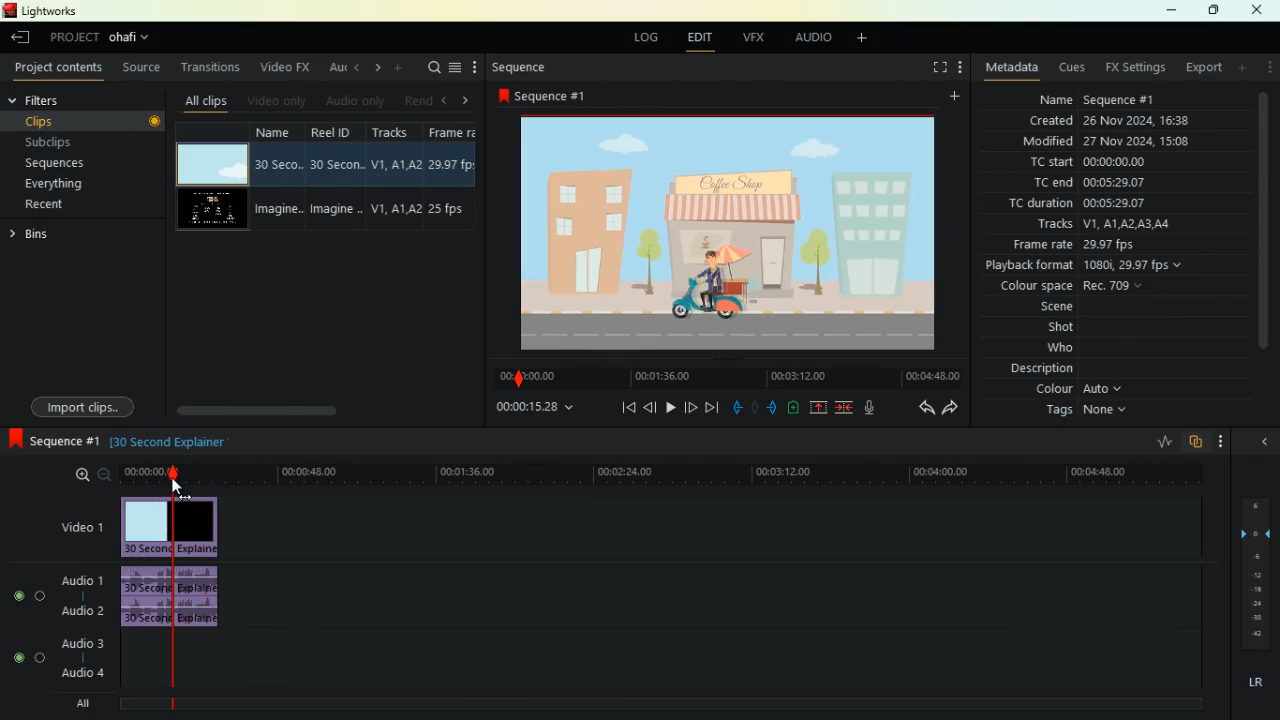 This screenshot has height=720, width=1280. What do you see at coordinates (1141, 121) in the screenshot?
I see `26 Nov 2024 16:38` at bounding box center [1141, 121].